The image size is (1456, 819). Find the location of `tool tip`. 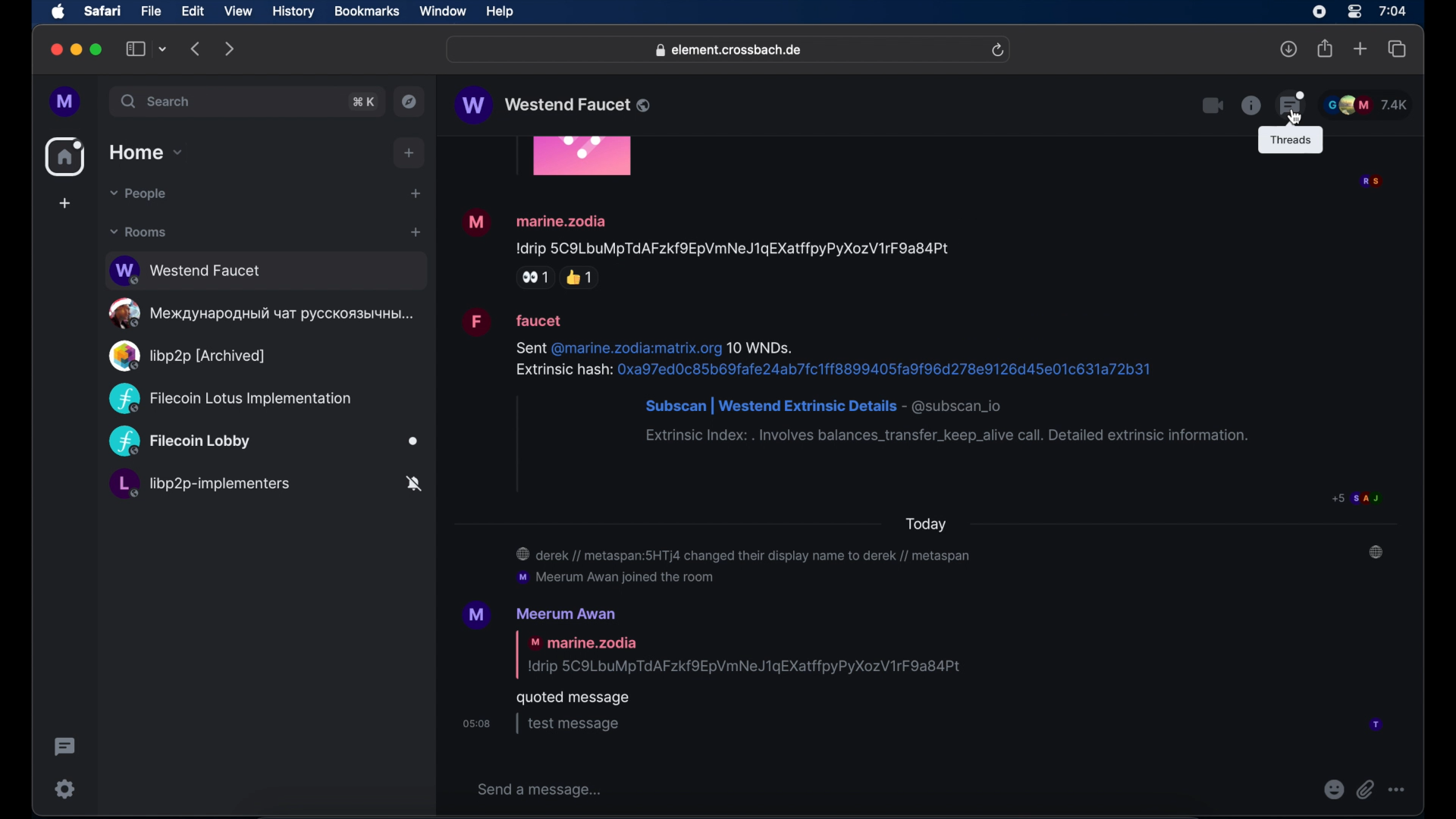

tool tip is located at coordinates (1290, 140).